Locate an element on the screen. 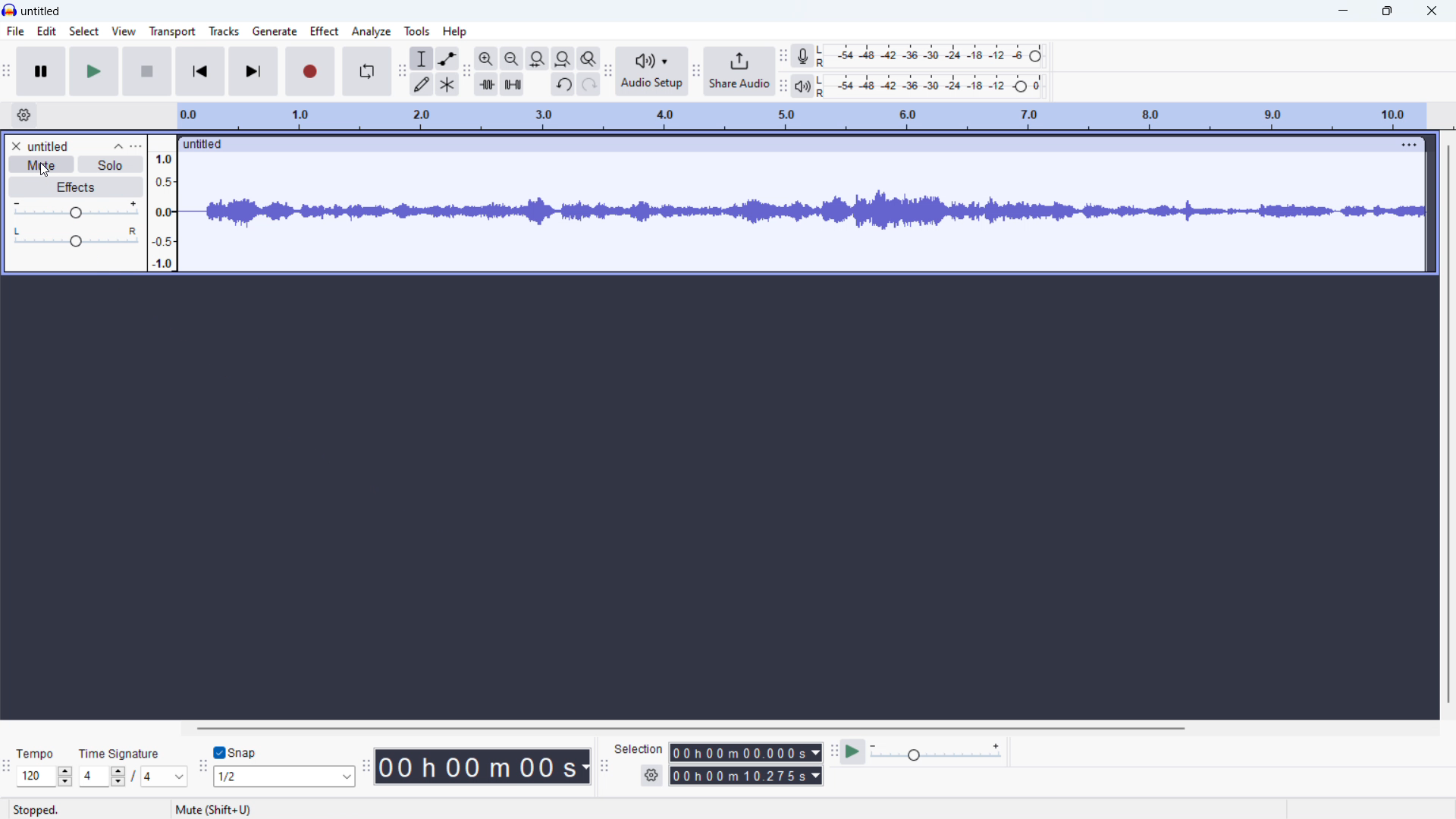  share audio toolbar is located at coordinates (695, 74).